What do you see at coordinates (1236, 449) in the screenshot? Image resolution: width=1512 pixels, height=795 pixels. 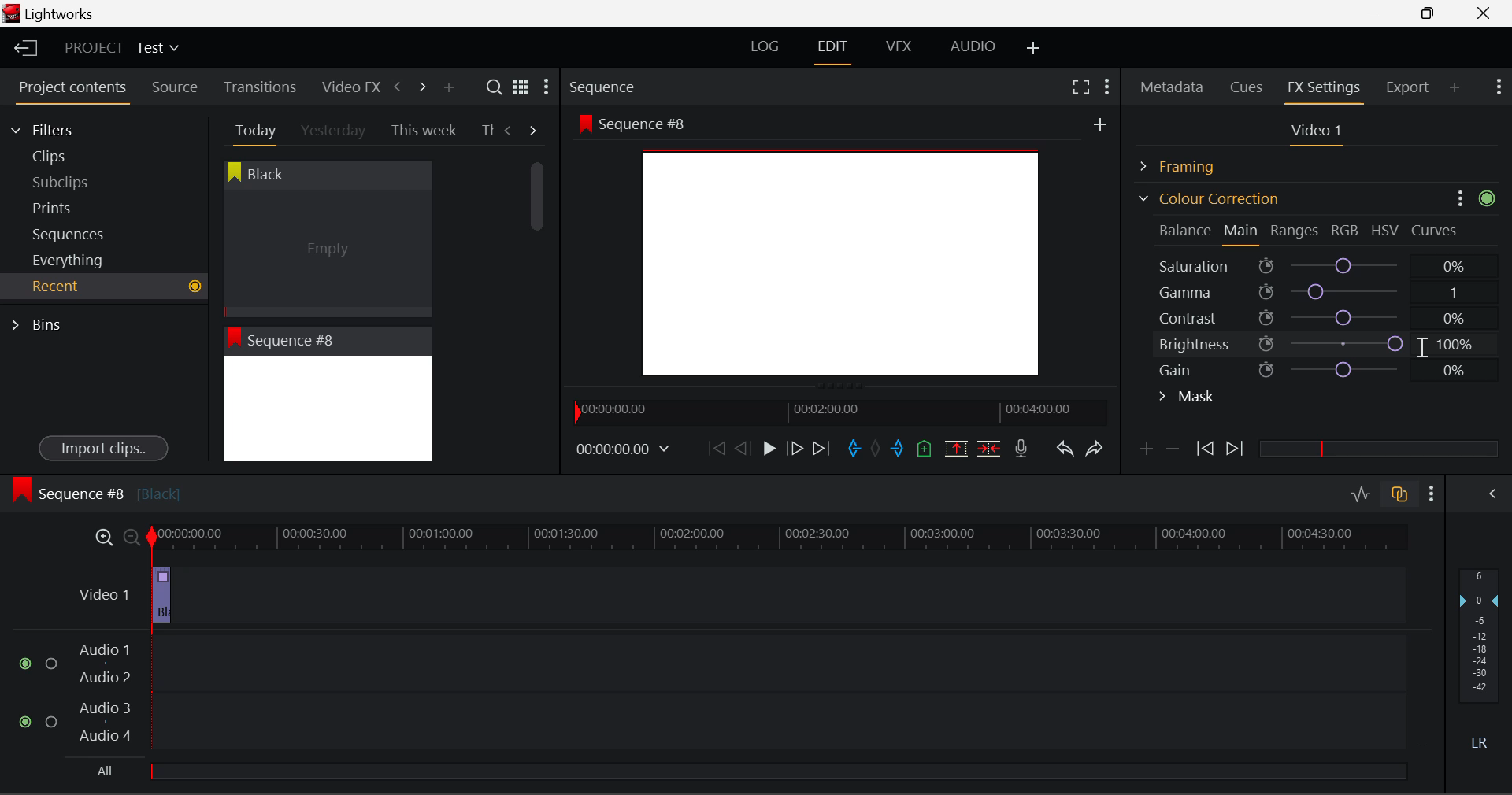 I see `Next keyframe` at bounding box center [1236, 449].